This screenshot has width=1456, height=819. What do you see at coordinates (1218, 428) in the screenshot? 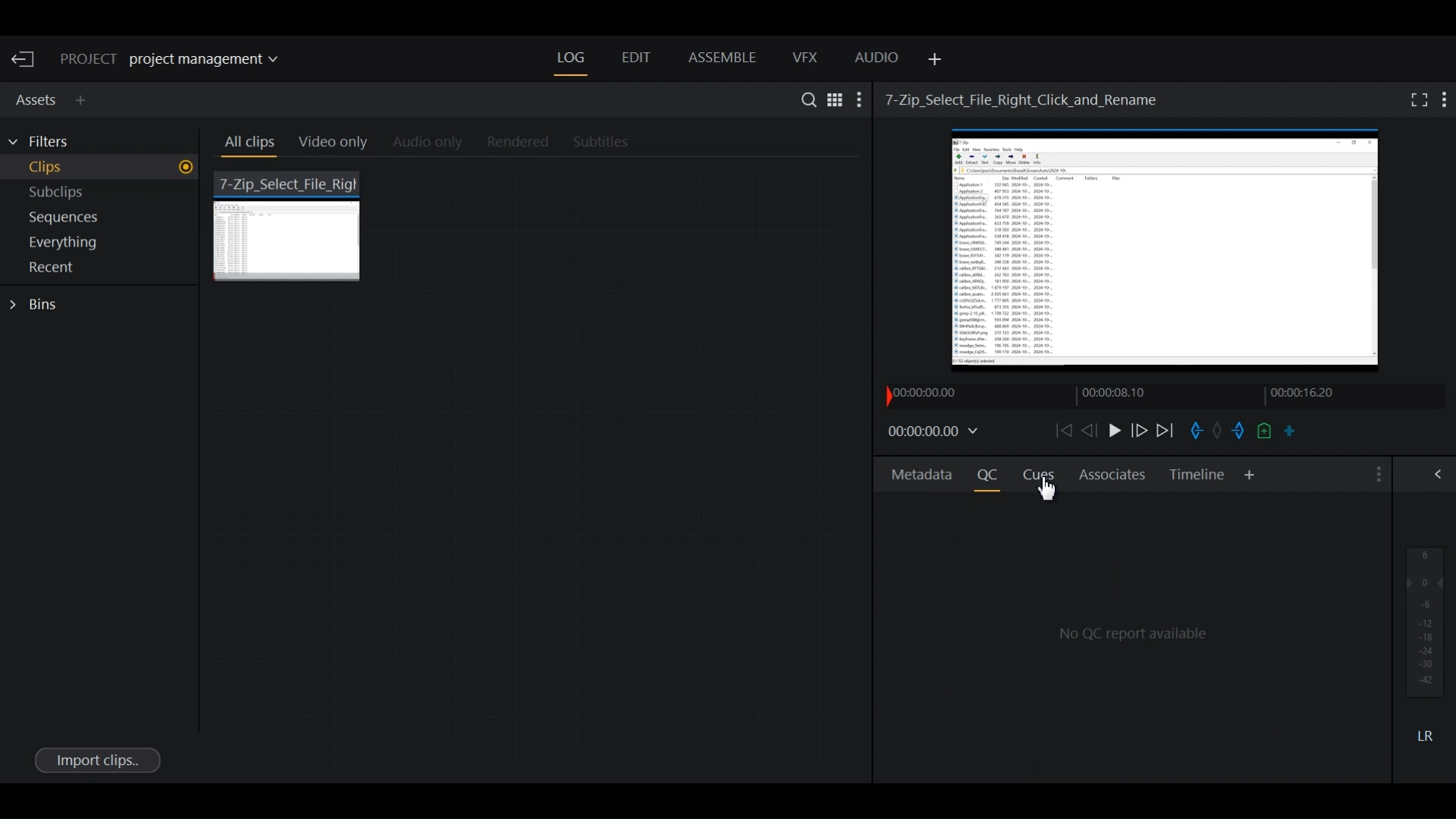
I see `Task` at bounding box center [1218, 428].